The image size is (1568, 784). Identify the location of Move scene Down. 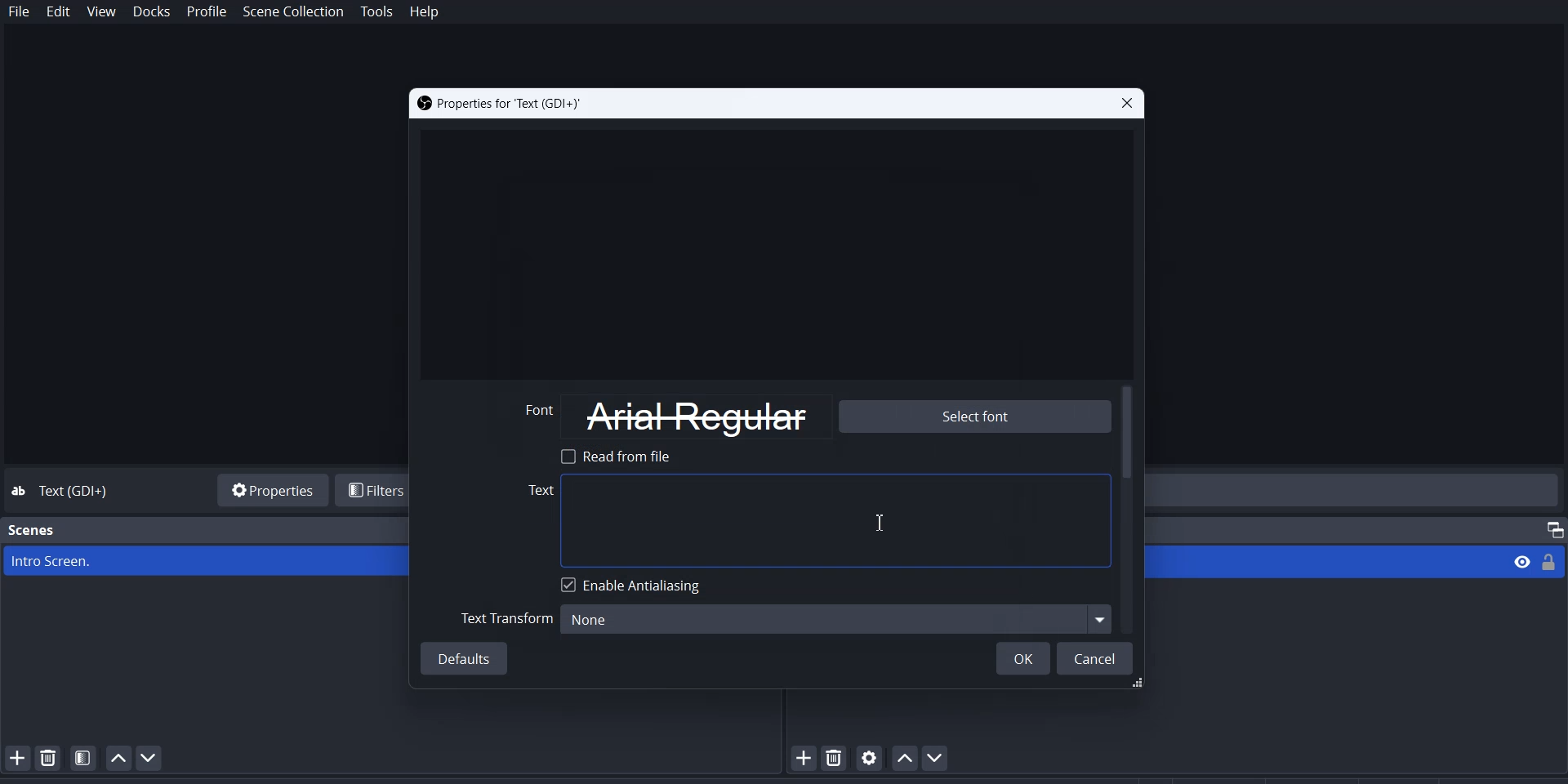
(155, 758).